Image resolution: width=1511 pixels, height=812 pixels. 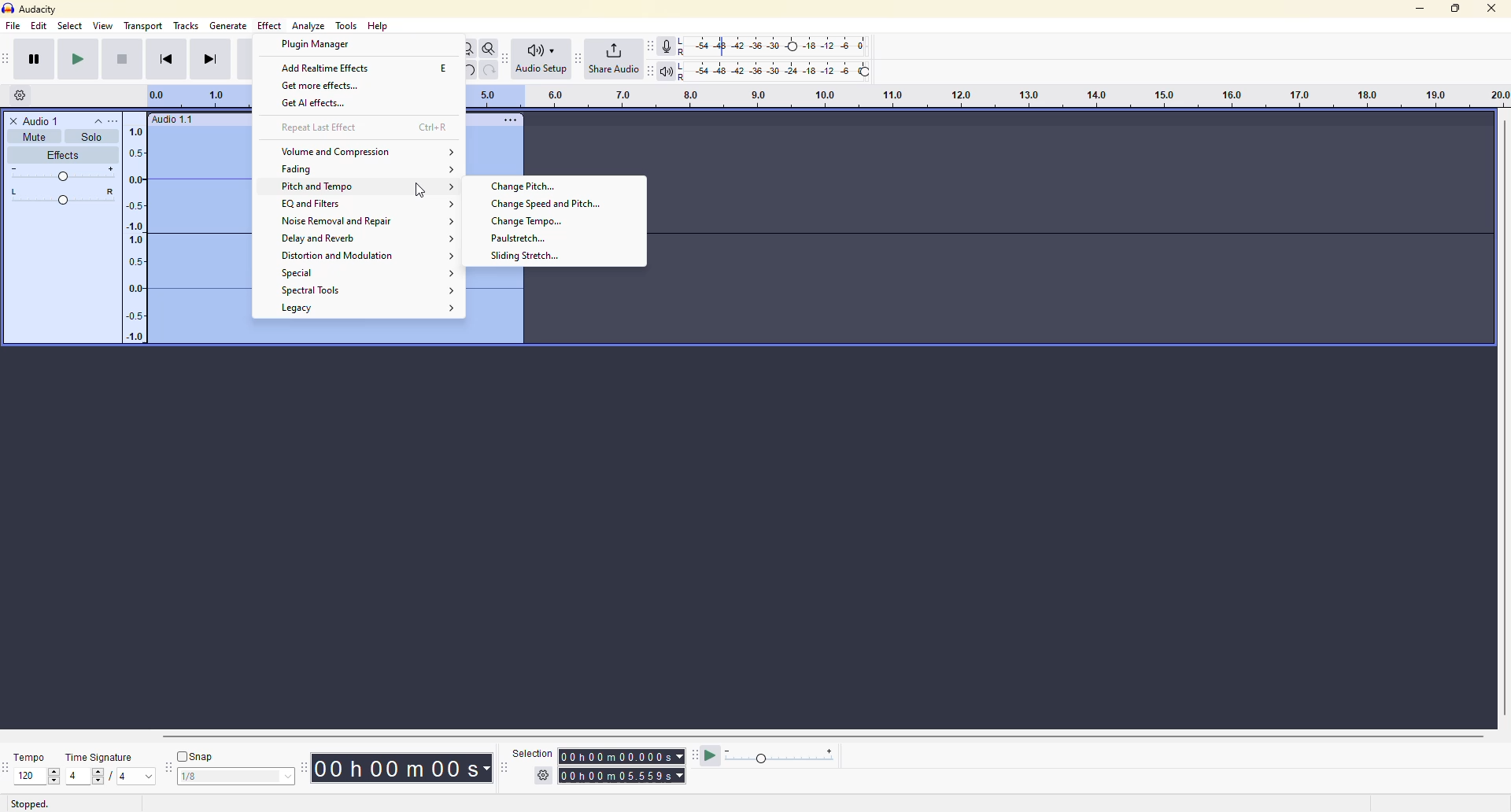 I want to click on solo, so click(x=91, y=136).